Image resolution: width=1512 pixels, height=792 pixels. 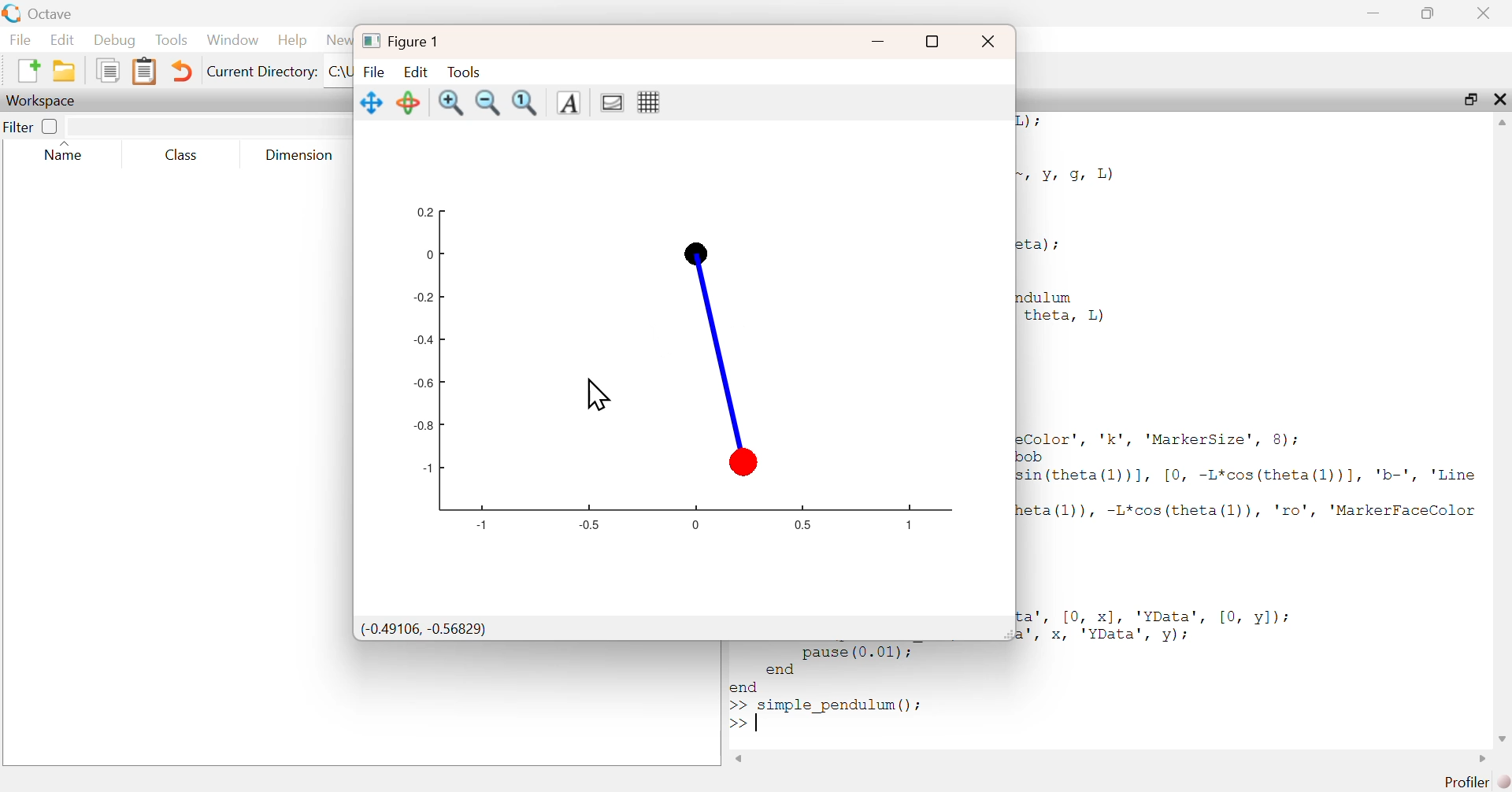 I want to click on Maximize, so click(x=1429, y=13).